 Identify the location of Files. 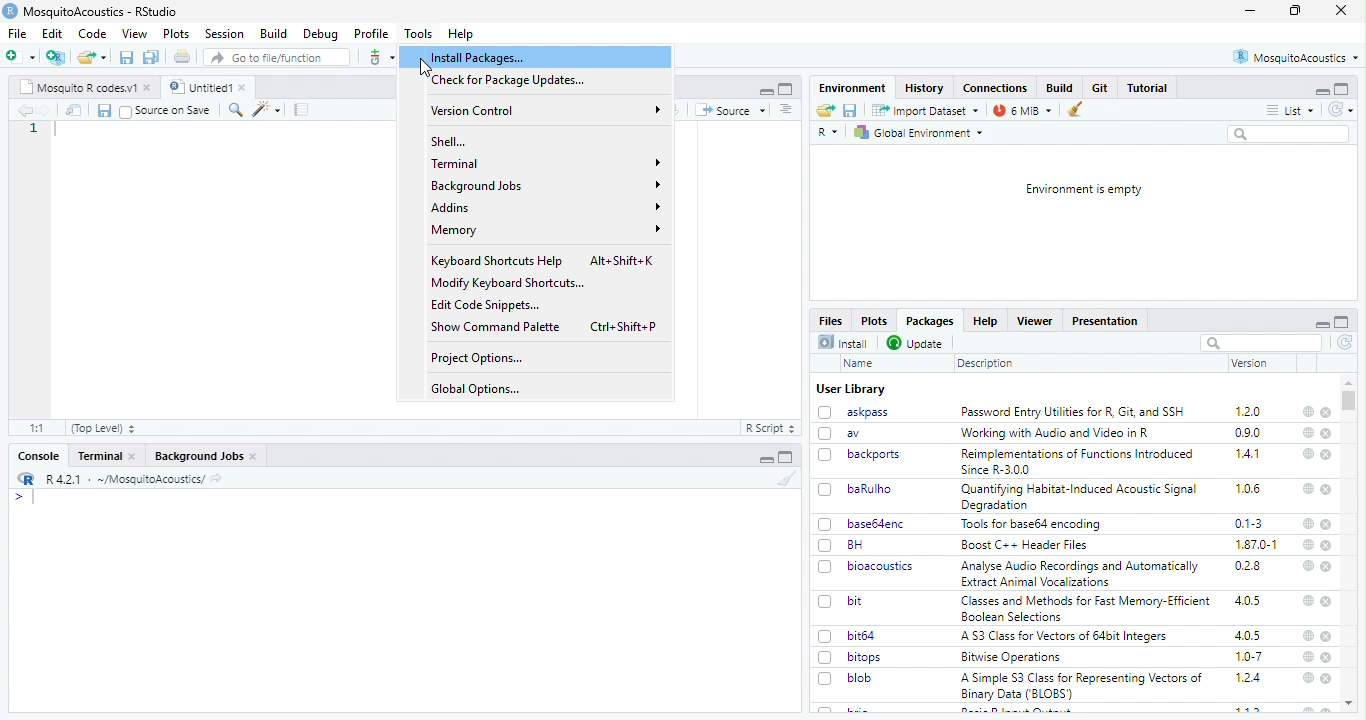
(832, 320).